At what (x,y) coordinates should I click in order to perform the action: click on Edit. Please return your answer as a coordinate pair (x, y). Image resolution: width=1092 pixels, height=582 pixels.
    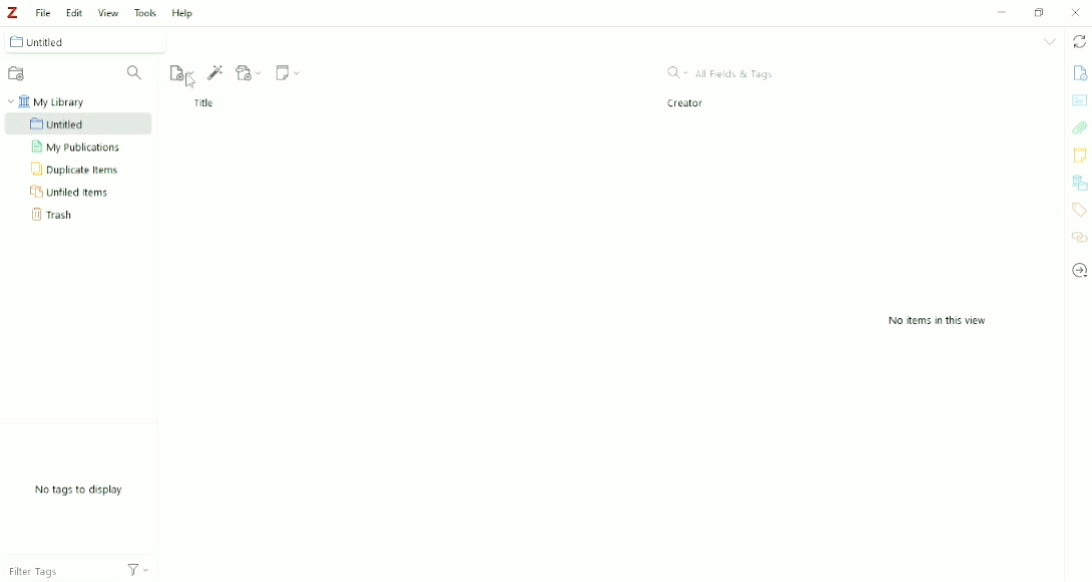
    Looking at the image, I should click on (72, 10).